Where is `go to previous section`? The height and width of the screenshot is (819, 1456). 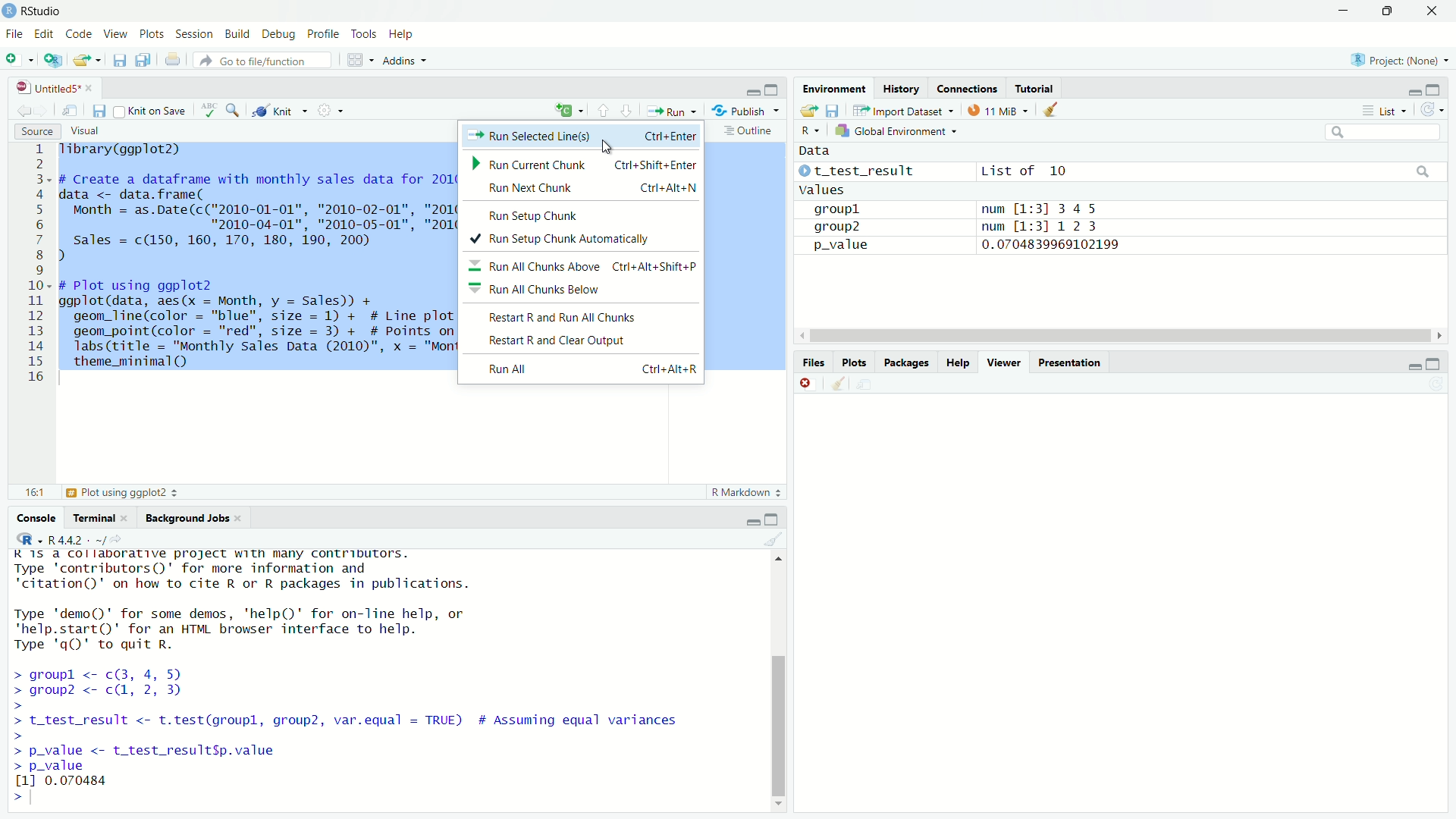
go to previous section is located at coordinates (604, 111).